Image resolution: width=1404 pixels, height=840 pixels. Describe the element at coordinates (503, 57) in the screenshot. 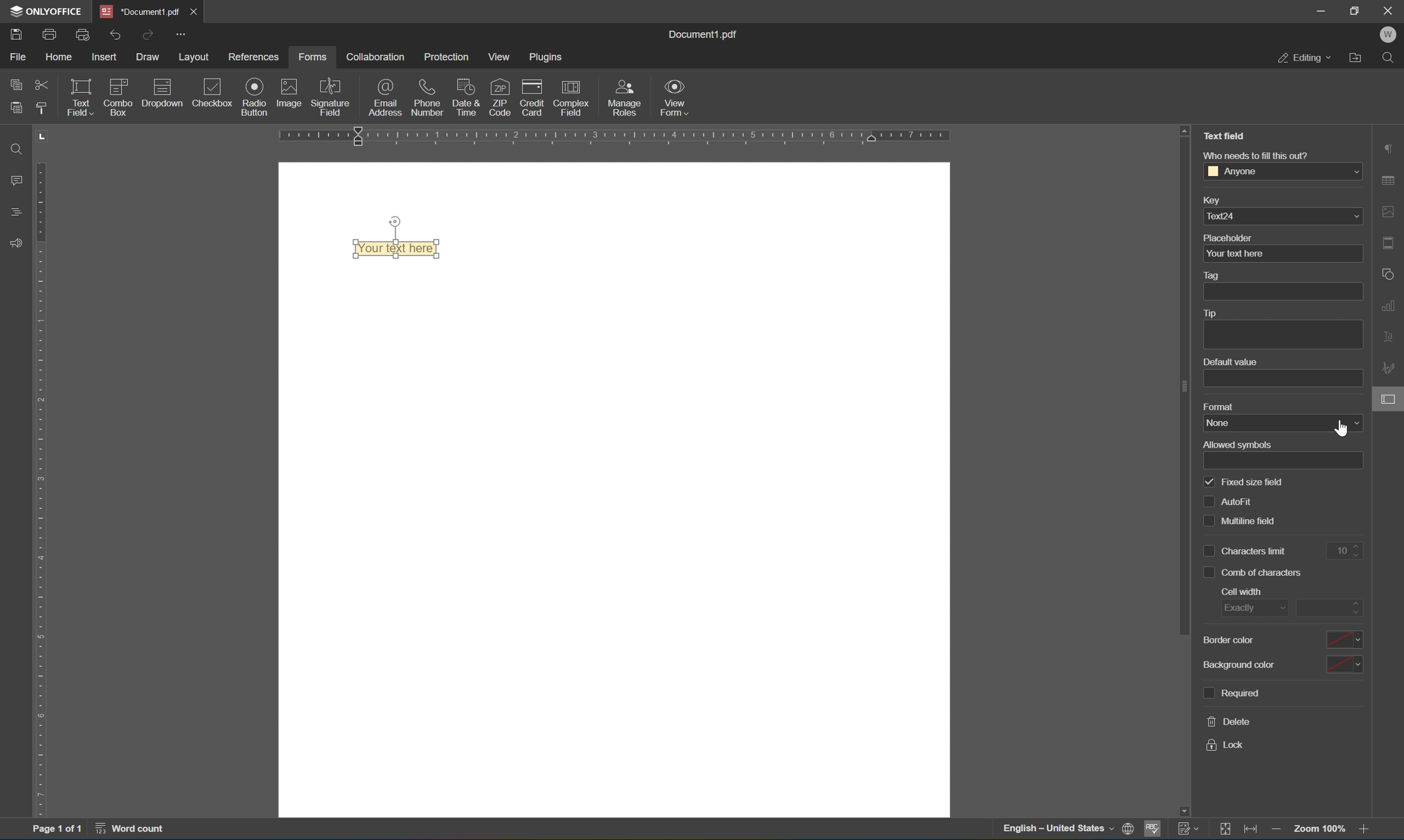

I see `view` at that location.